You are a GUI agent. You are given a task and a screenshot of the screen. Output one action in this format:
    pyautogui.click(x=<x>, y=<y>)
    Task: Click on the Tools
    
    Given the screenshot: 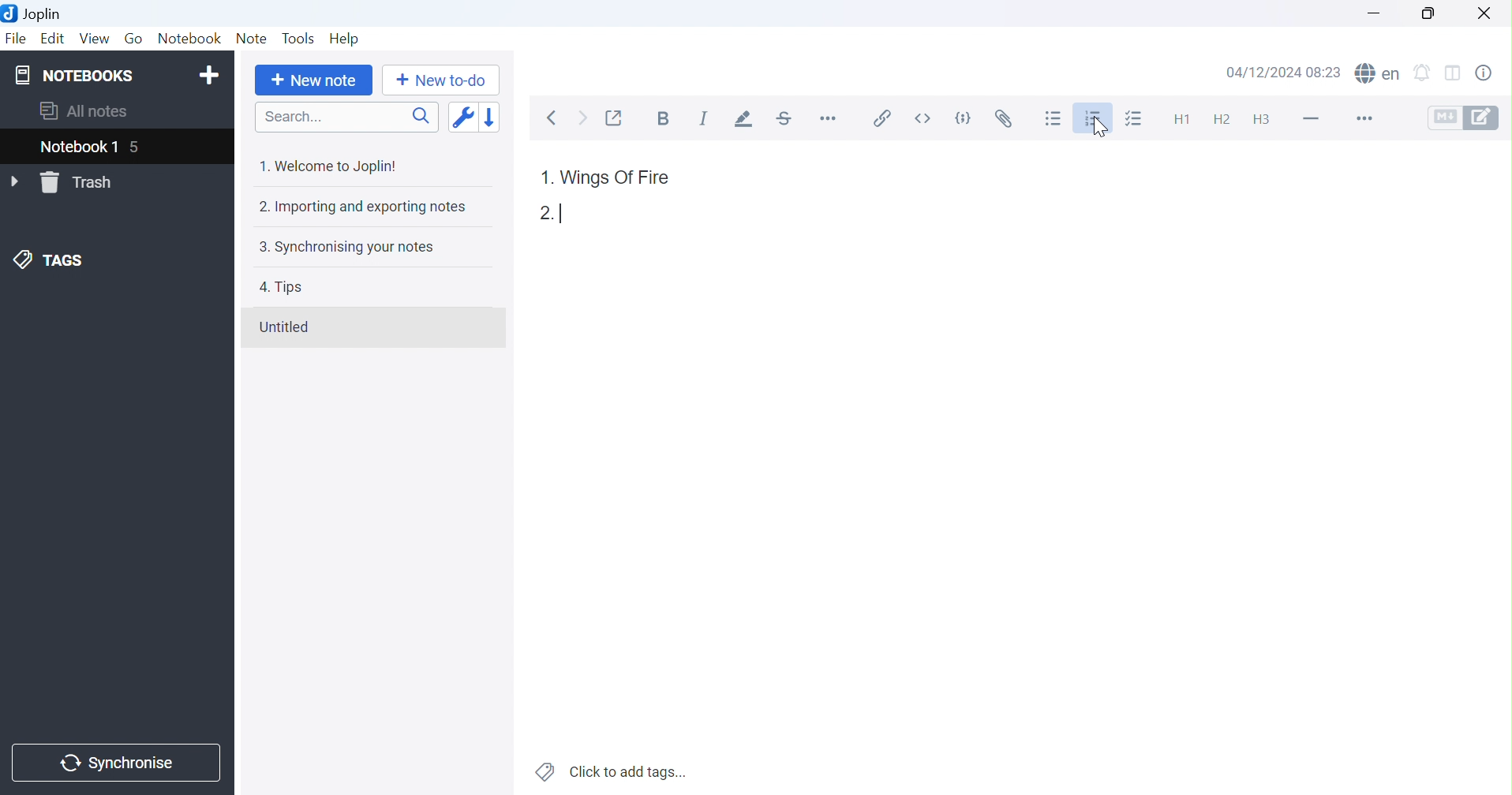 What is the action you would take?
    pyautogui.click(x=298, y=38)
    